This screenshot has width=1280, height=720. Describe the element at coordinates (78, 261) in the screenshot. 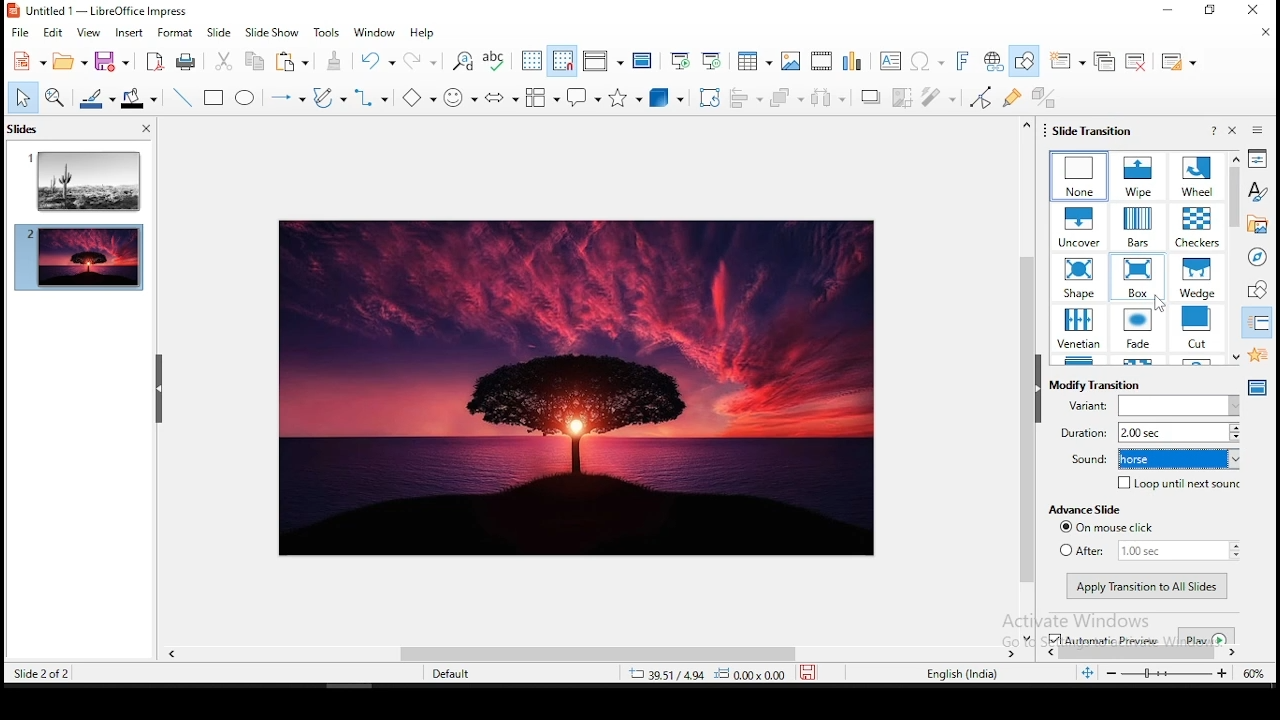

I see `slide 2` at that location.